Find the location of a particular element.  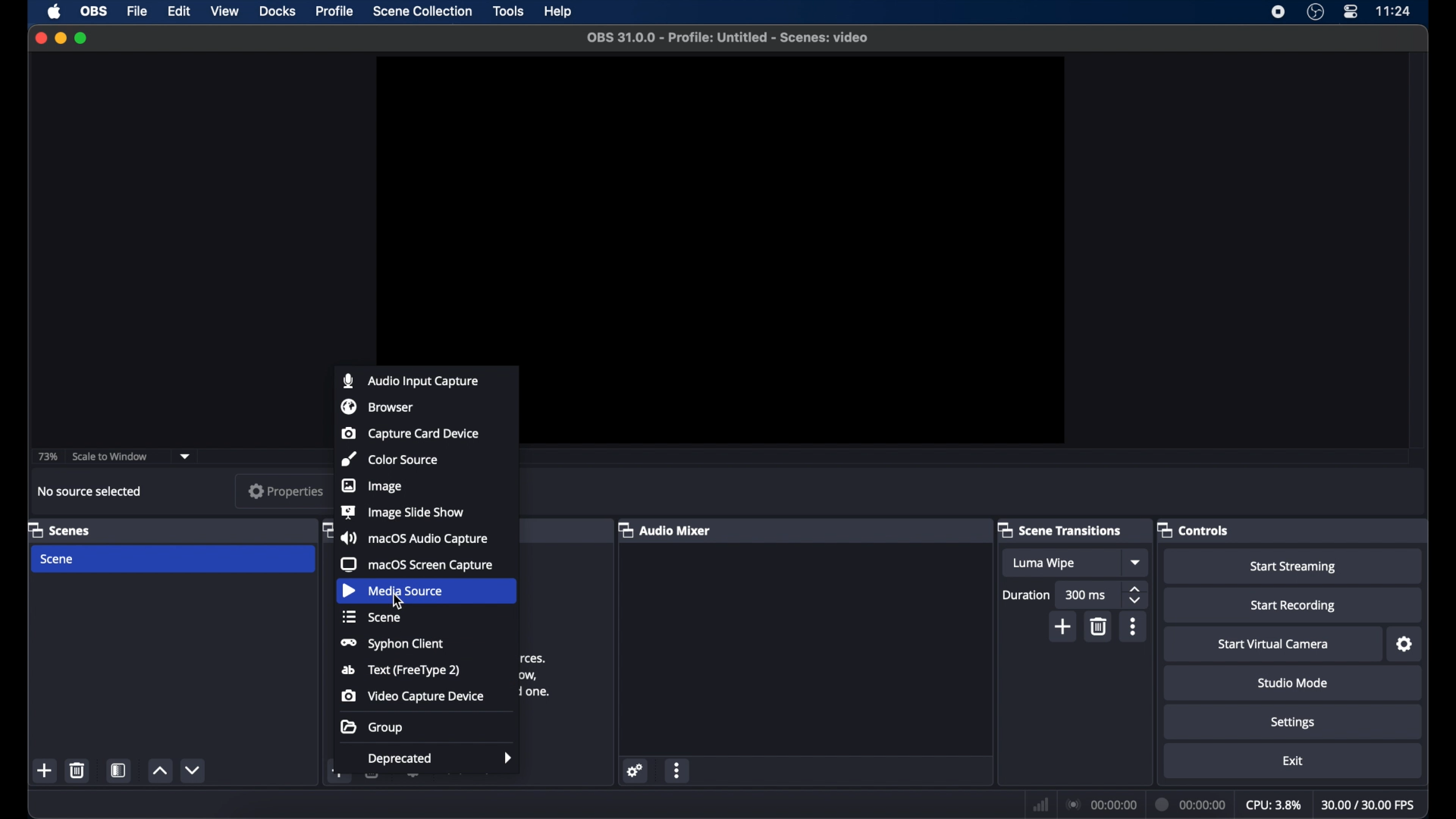

scene collection is located at coordinates (422, 11).